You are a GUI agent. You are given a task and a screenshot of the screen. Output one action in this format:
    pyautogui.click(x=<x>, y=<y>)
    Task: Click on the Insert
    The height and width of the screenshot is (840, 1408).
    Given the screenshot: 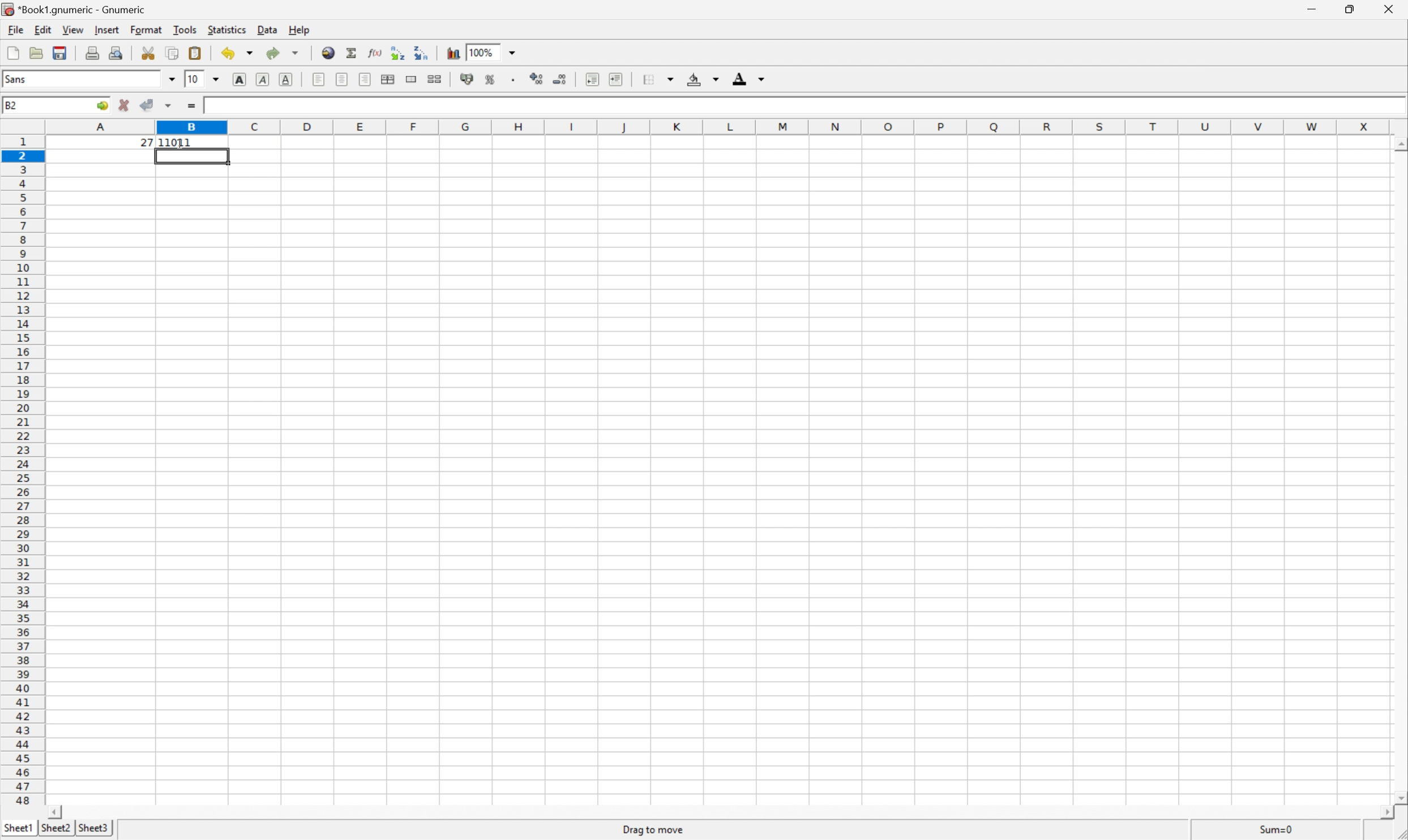 What is the action you would take?
    pyautogui.click(x=106, y=30)
    